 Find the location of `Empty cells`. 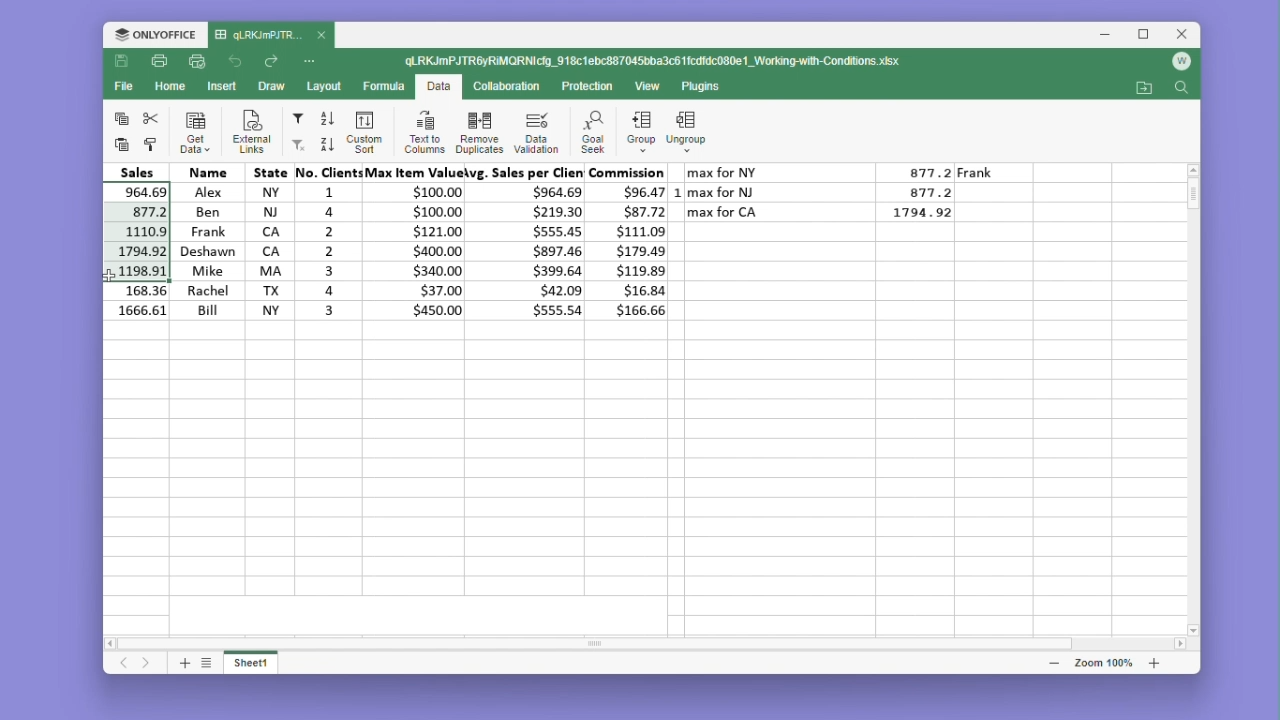

Empty cells is located at coordinates (648, 468).